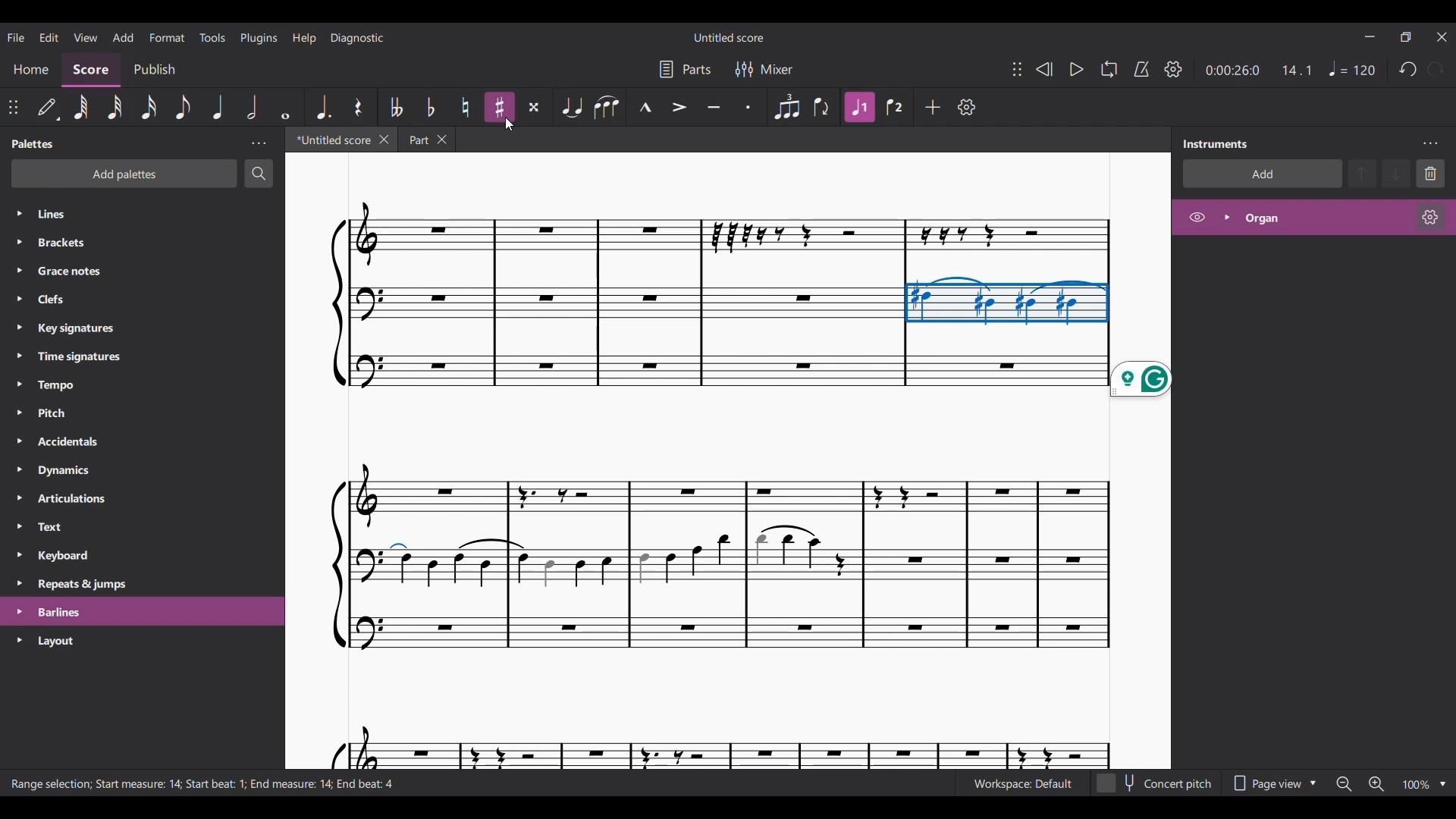 The width and height of the screenshot is (1456, 819). Describe the element at coordinates (1023, 783) in the screenshot. I see `Current workspace settings` at that location.